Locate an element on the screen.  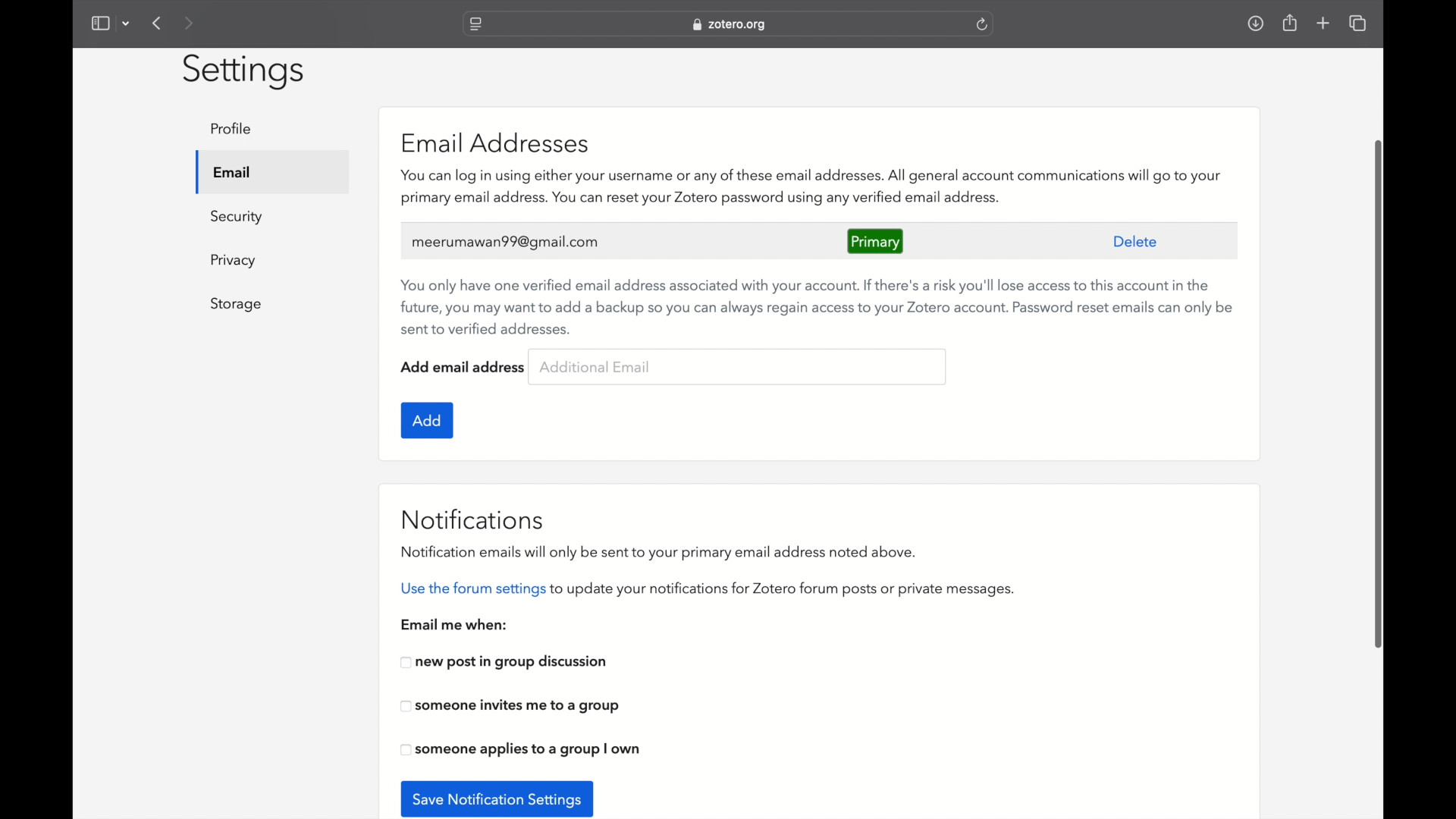
scroll box is located at coordinates (1382, 394).